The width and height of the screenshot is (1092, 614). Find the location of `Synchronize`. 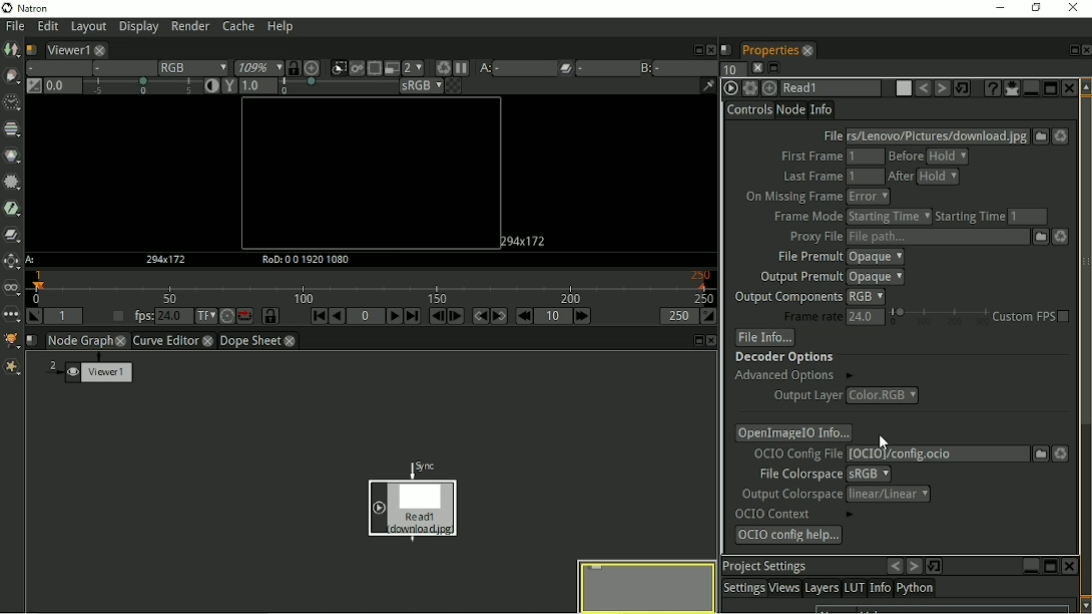

Synchronize is located at coordinates (264, 316).